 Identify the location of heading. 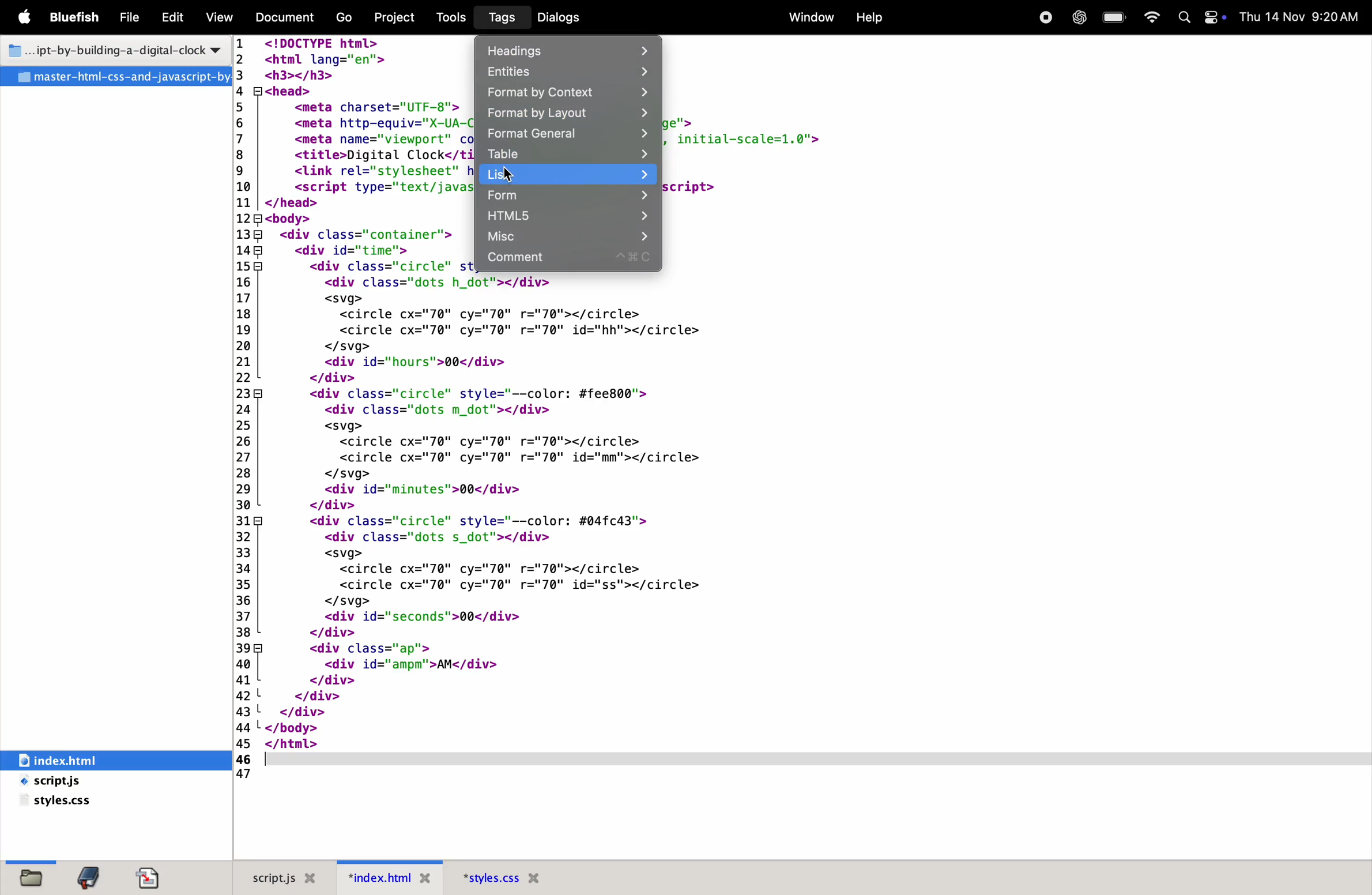
(571, 49).